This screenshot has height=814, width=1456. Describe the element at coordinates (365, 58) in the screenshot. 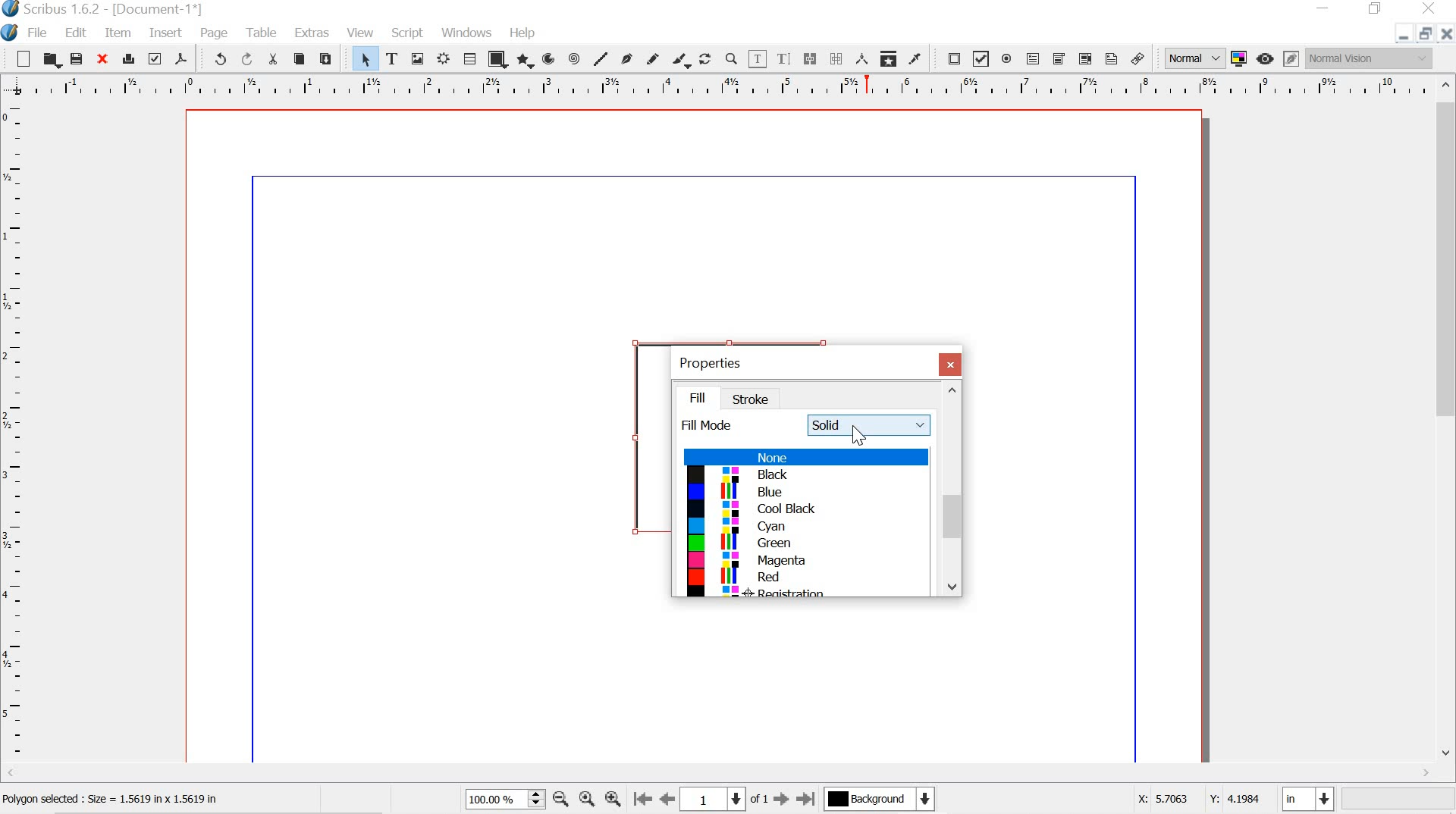

I see `select item` at that location.